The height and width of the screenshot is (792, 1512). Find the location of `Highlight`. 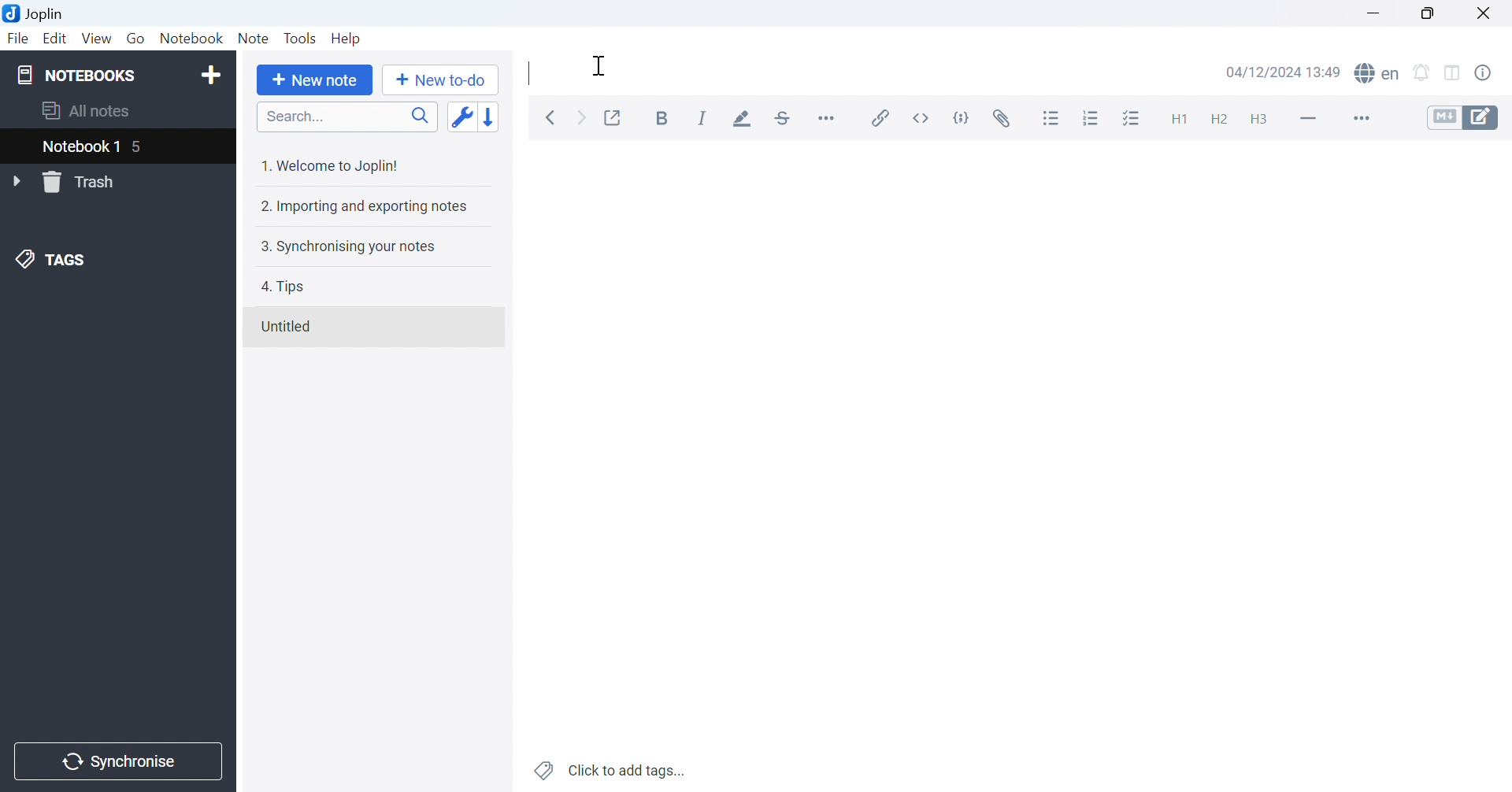

Highlight is located at coordinates (744, 119).